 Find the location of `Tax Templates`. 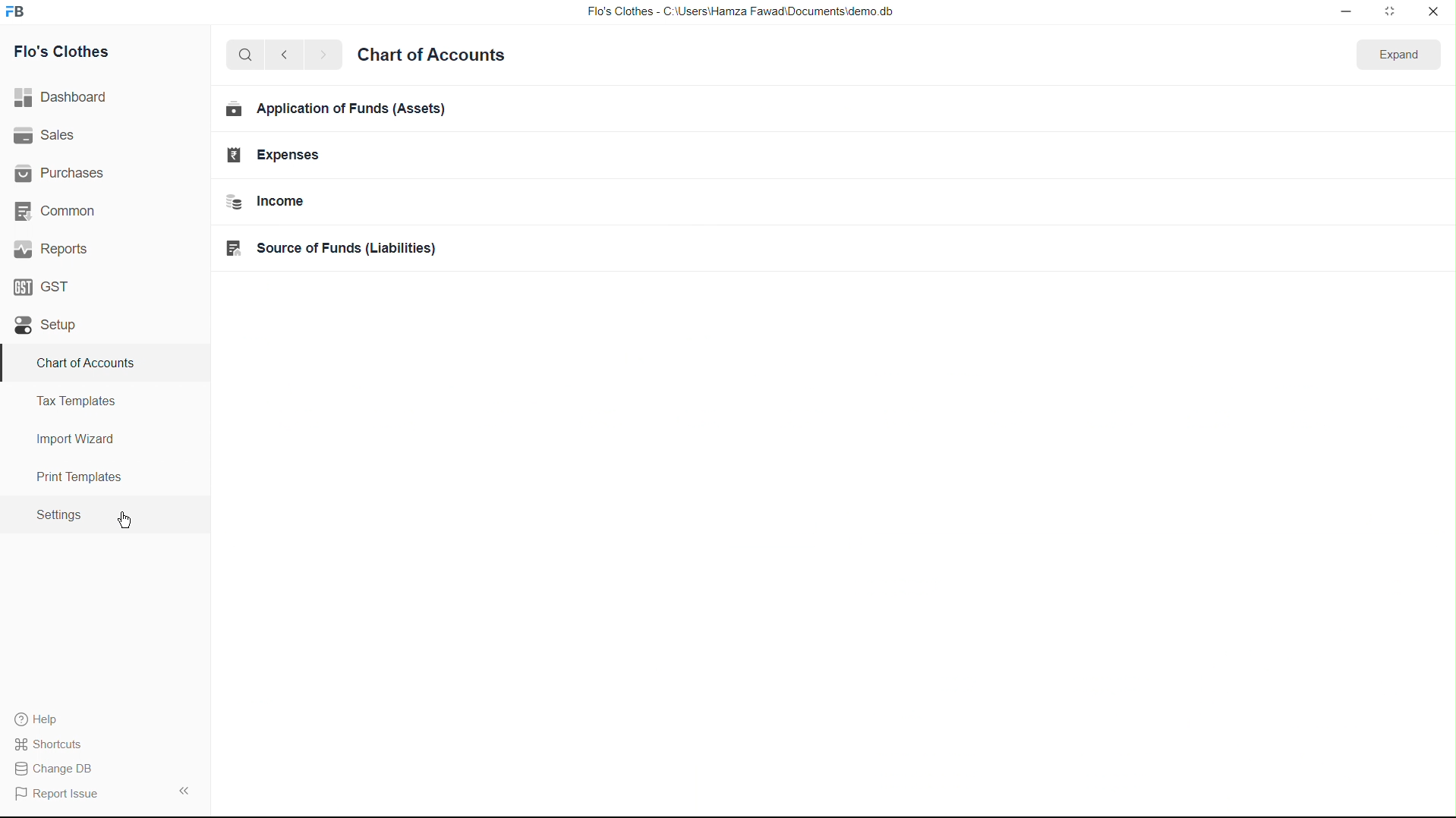

Tax Templates is located at coordinates (73, 398).